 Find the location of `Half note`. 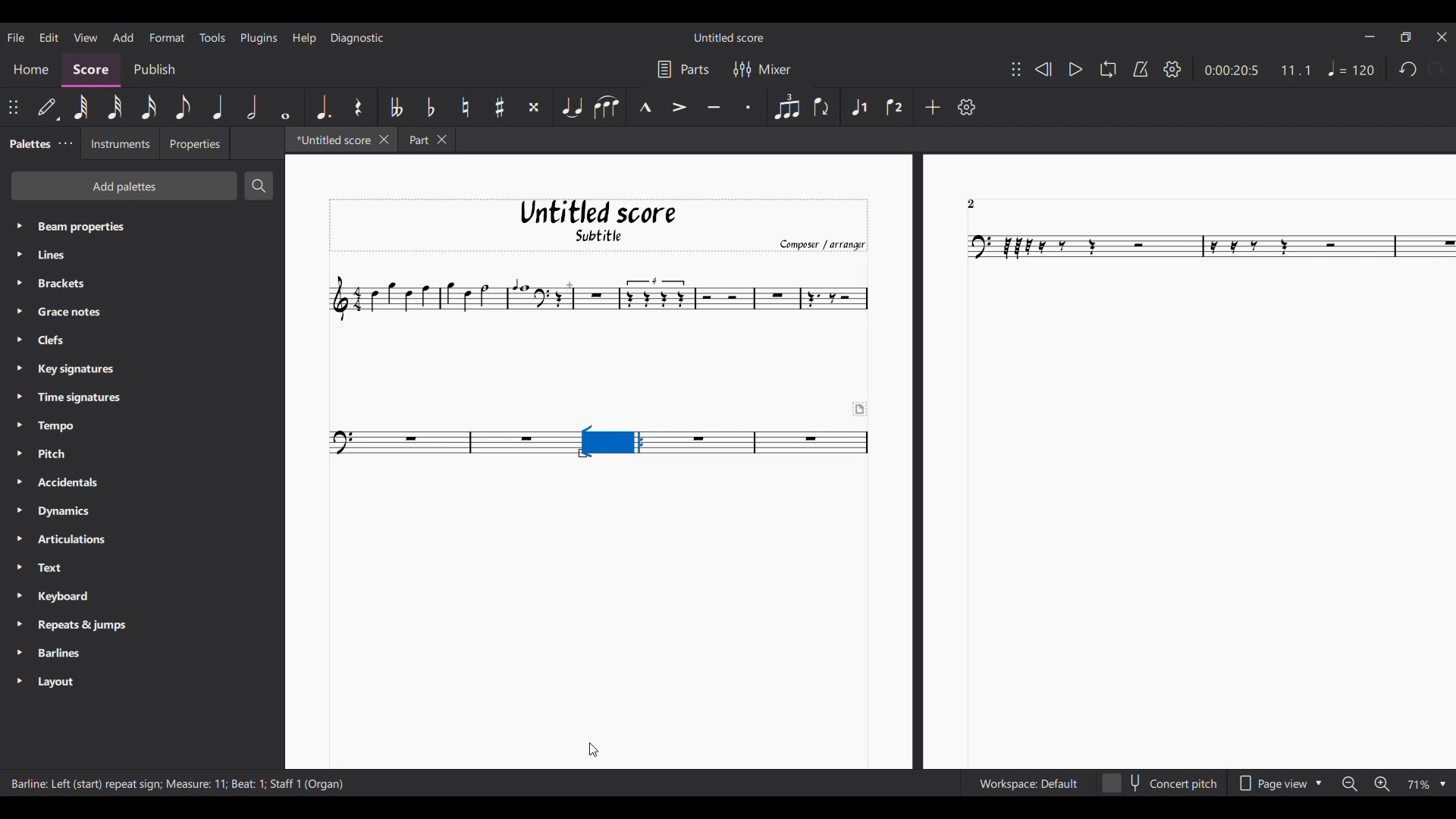

Half note is located at coordinates (252, 107).